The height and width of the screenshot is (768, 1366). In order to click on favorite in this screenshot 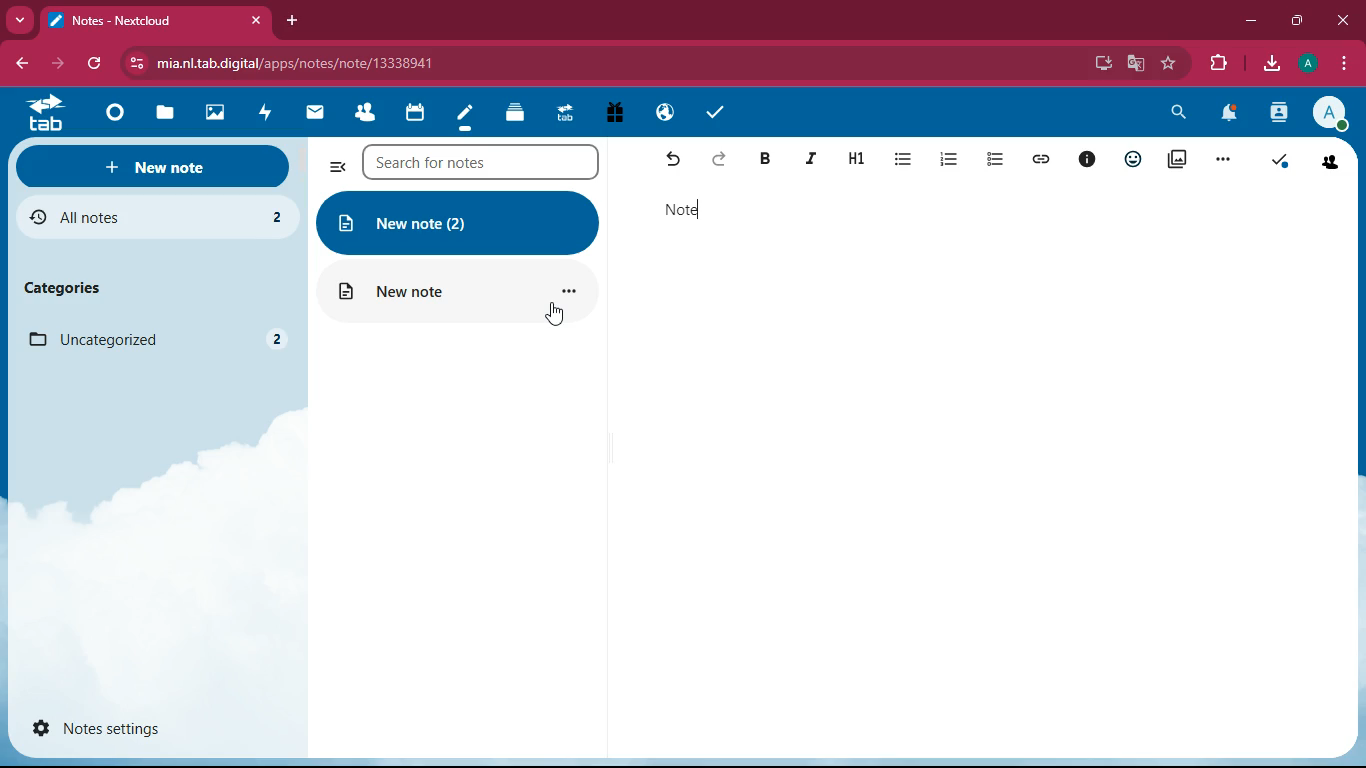, I will do `click(1168, 67)`.